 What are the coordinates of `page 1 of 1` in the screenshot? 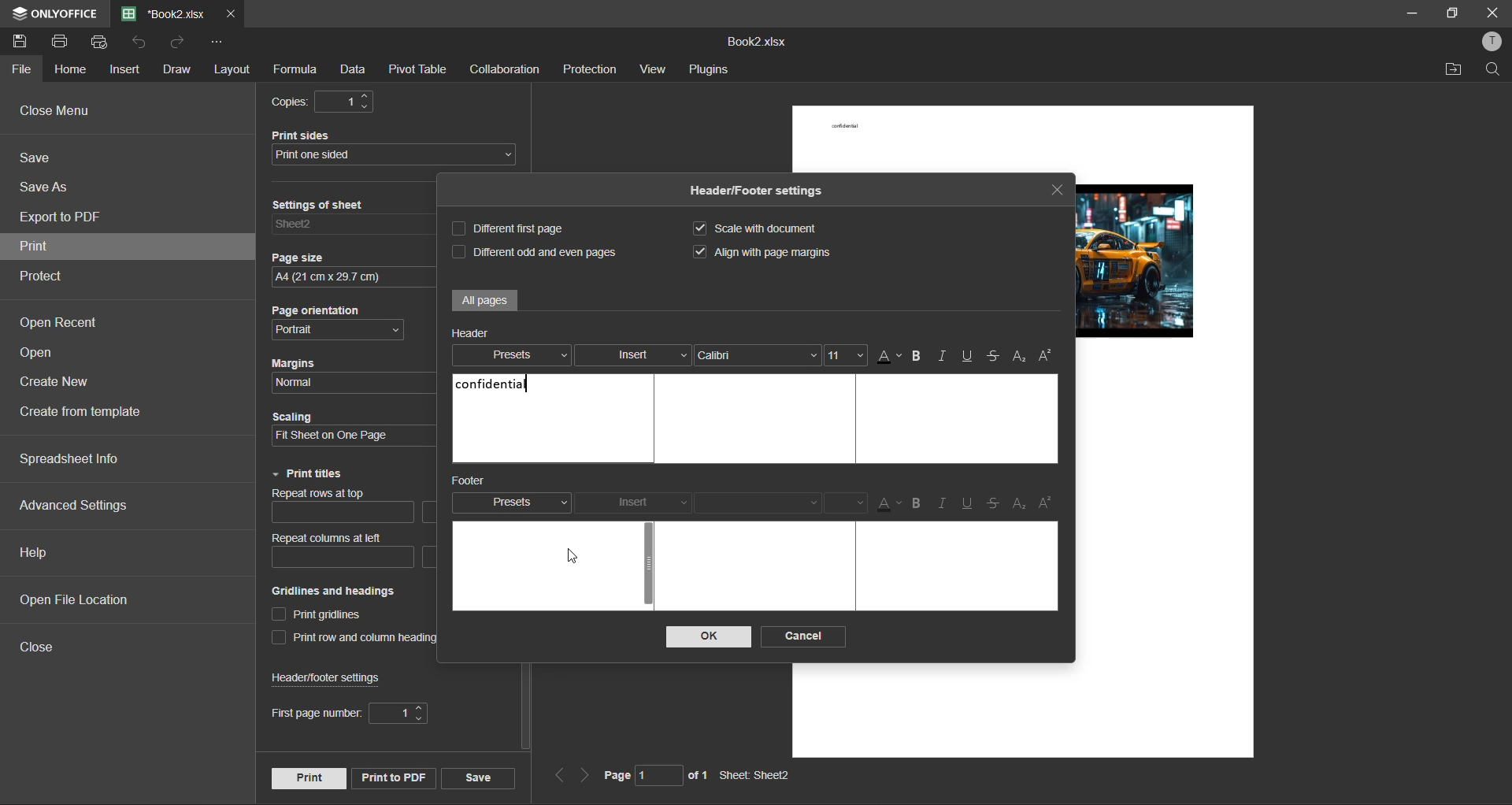 It's located at (656, 777).